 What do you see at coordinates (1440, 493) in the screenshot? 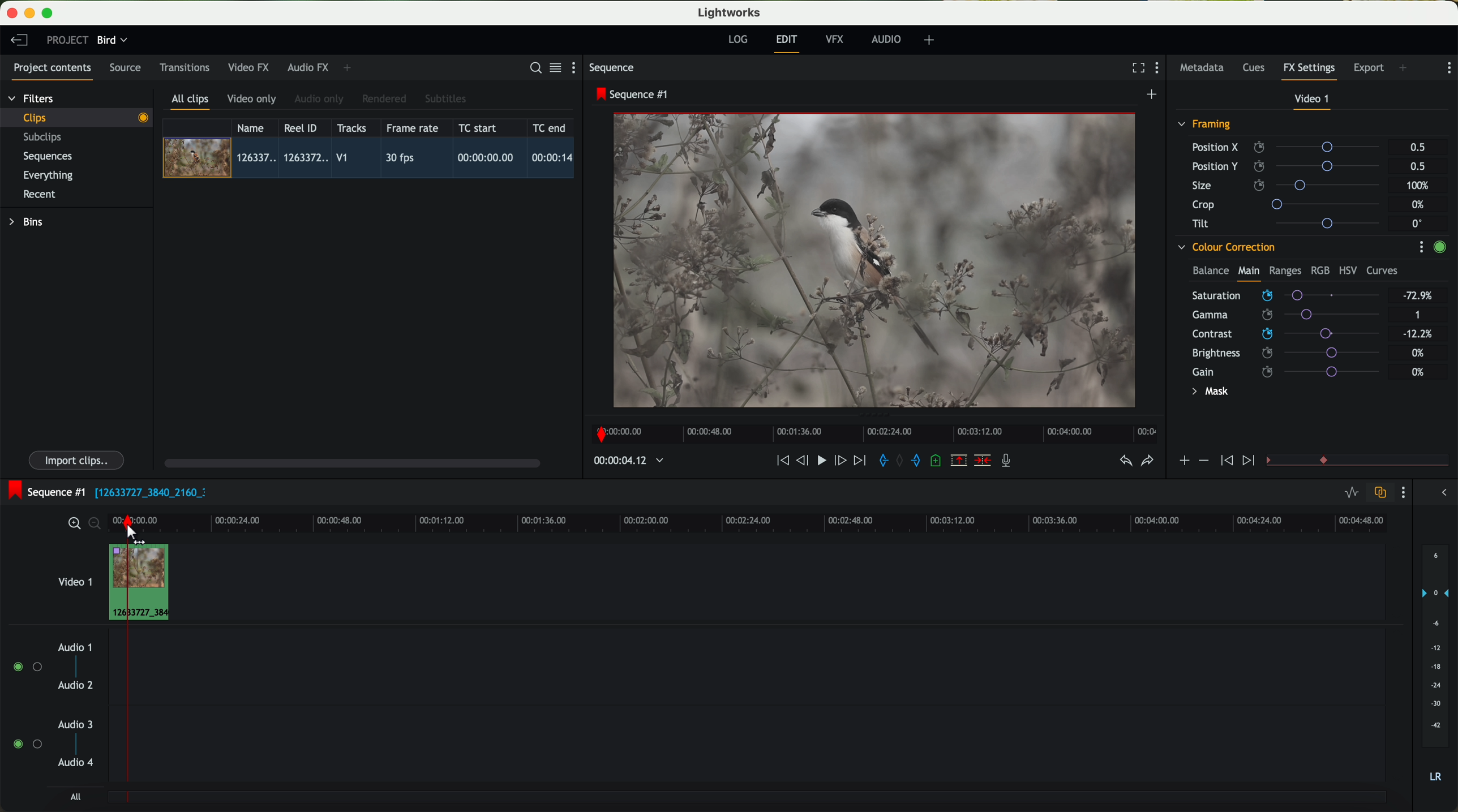
I see `show/hide the full audio mix` at bounding box center [1440, 493].